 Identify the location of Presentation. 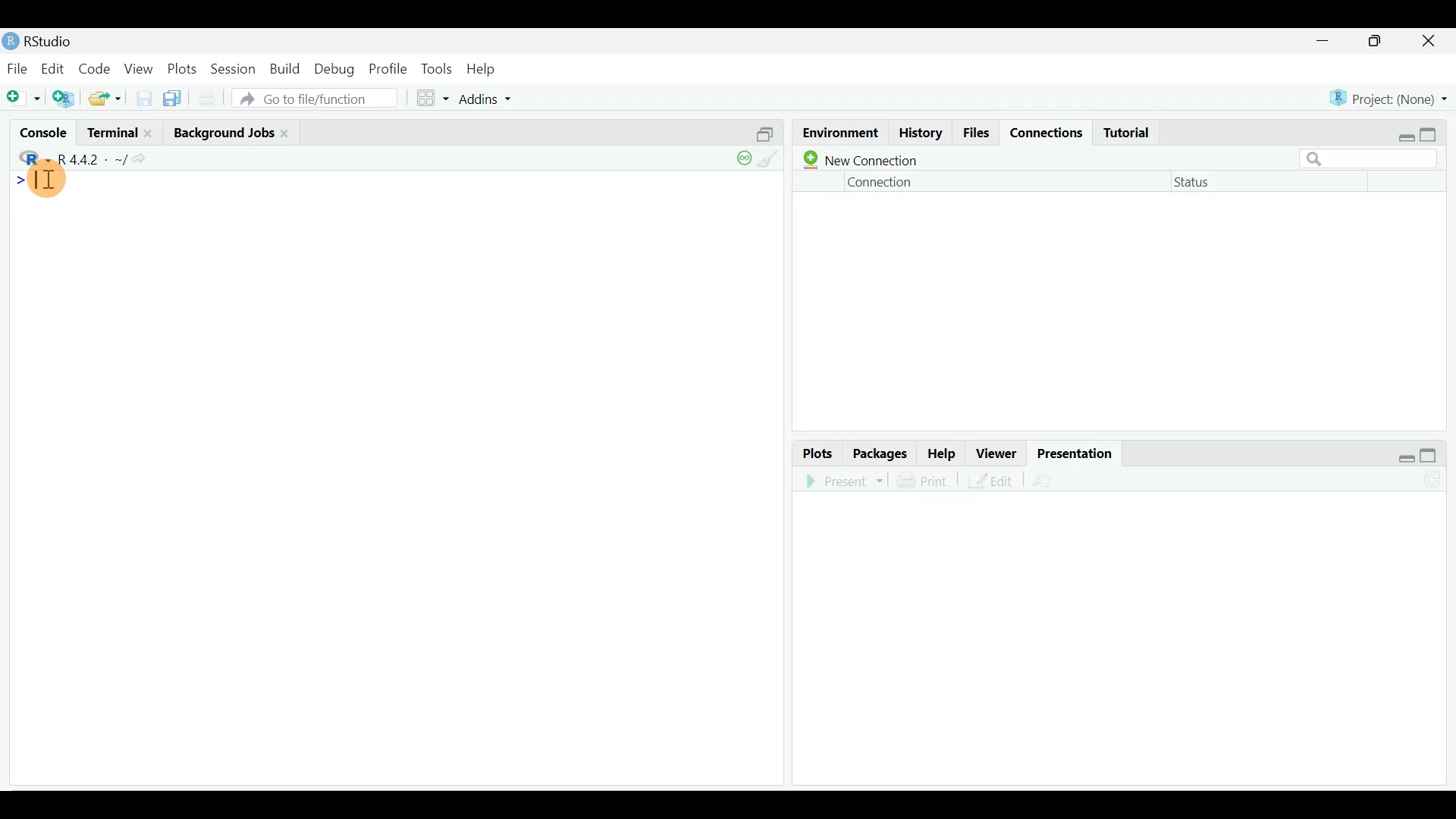
(1077, 452).